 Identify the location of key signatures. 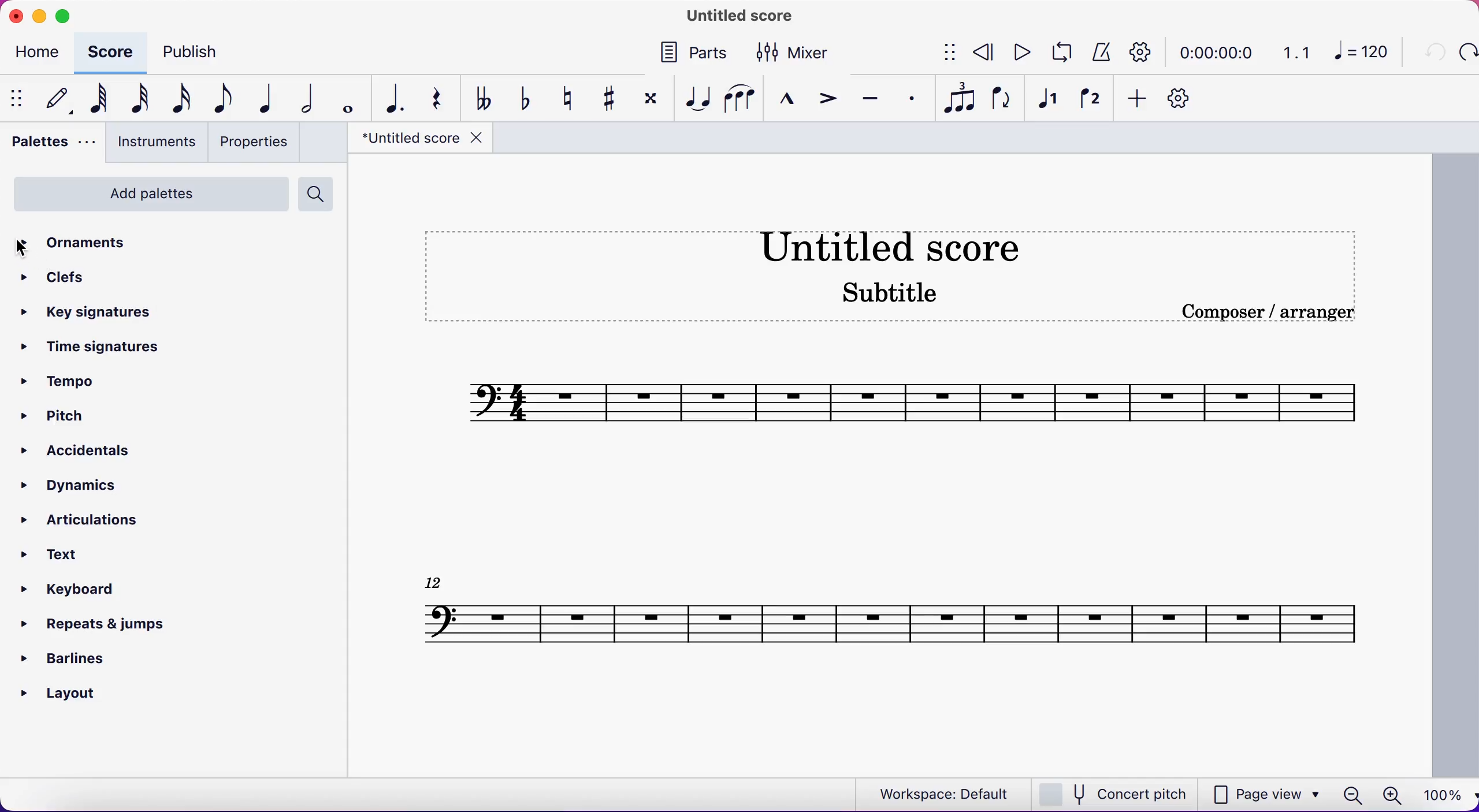
(88, 312).